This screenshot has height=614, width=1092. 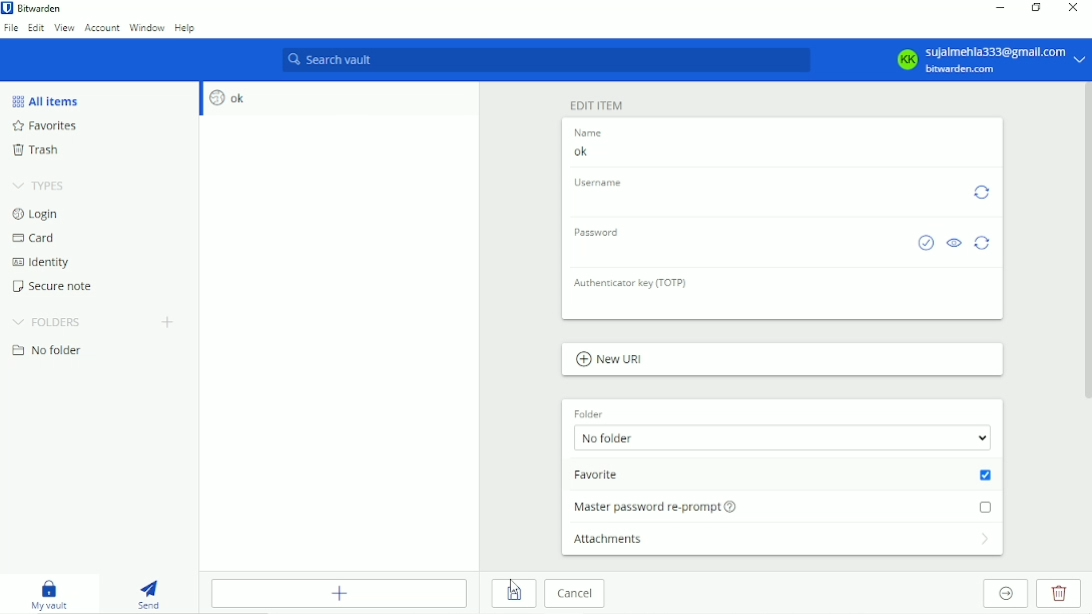 What do you see at coordinates (146, 28) in the screenshot?
I see `Window` at bounding box center [146, 28].